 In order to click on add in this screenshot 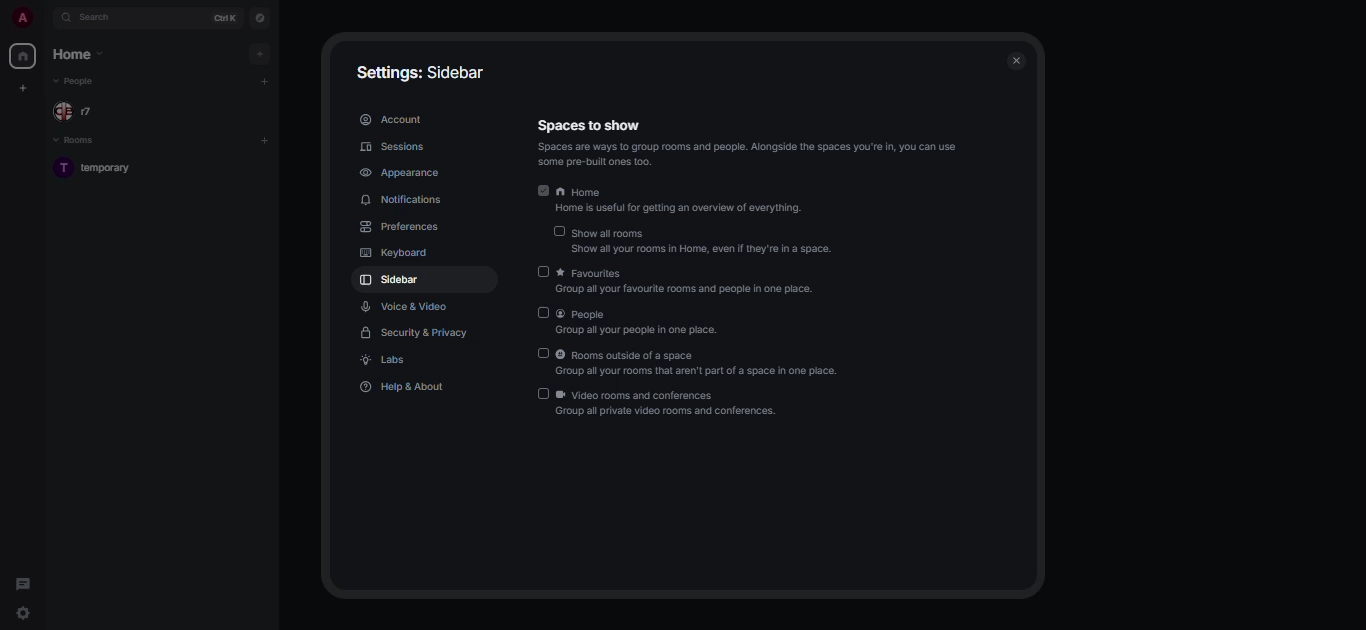, I will do `click(260, 55)`.